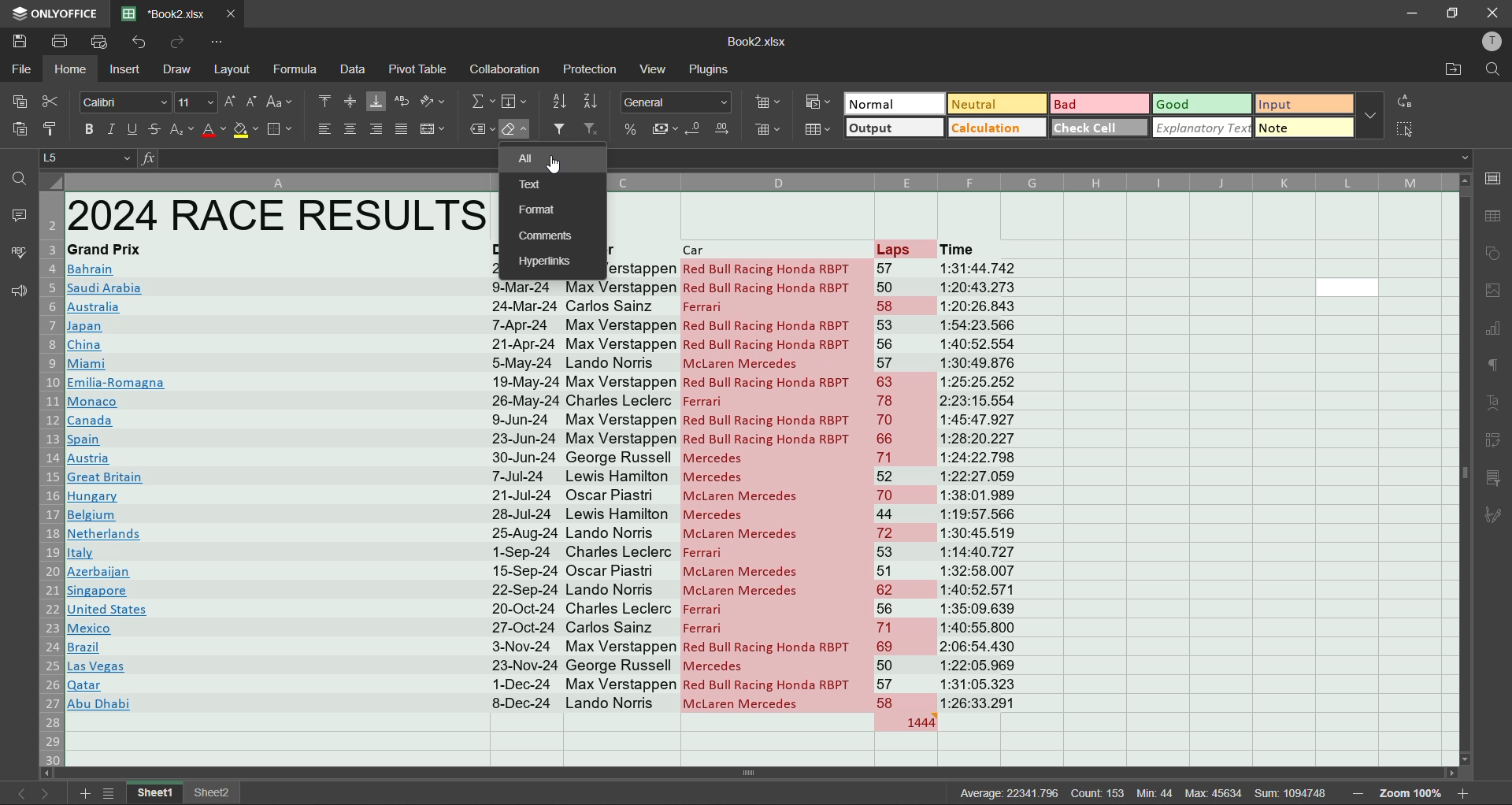 This screenshot has width=1512, height=805. I want to click on replace, so click(1410, 101).